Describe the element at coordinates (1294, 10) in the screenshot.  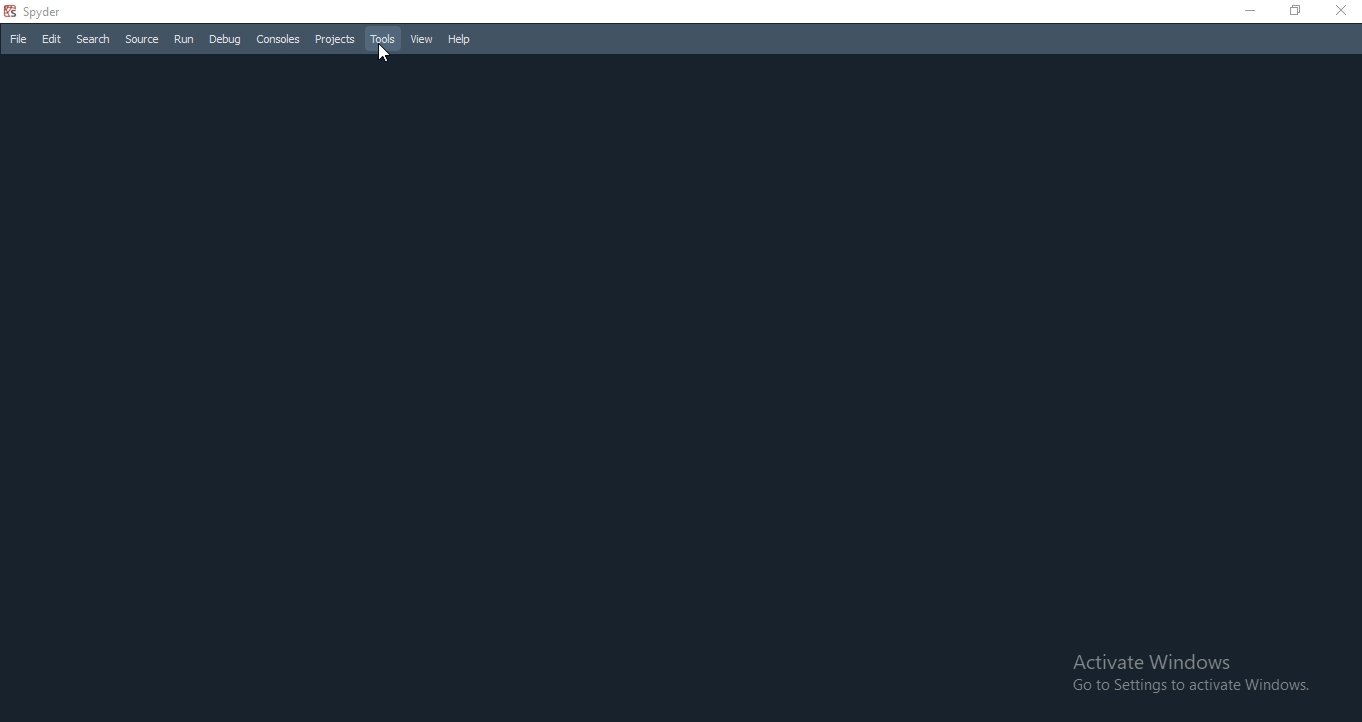
I see `Restore` at that location.